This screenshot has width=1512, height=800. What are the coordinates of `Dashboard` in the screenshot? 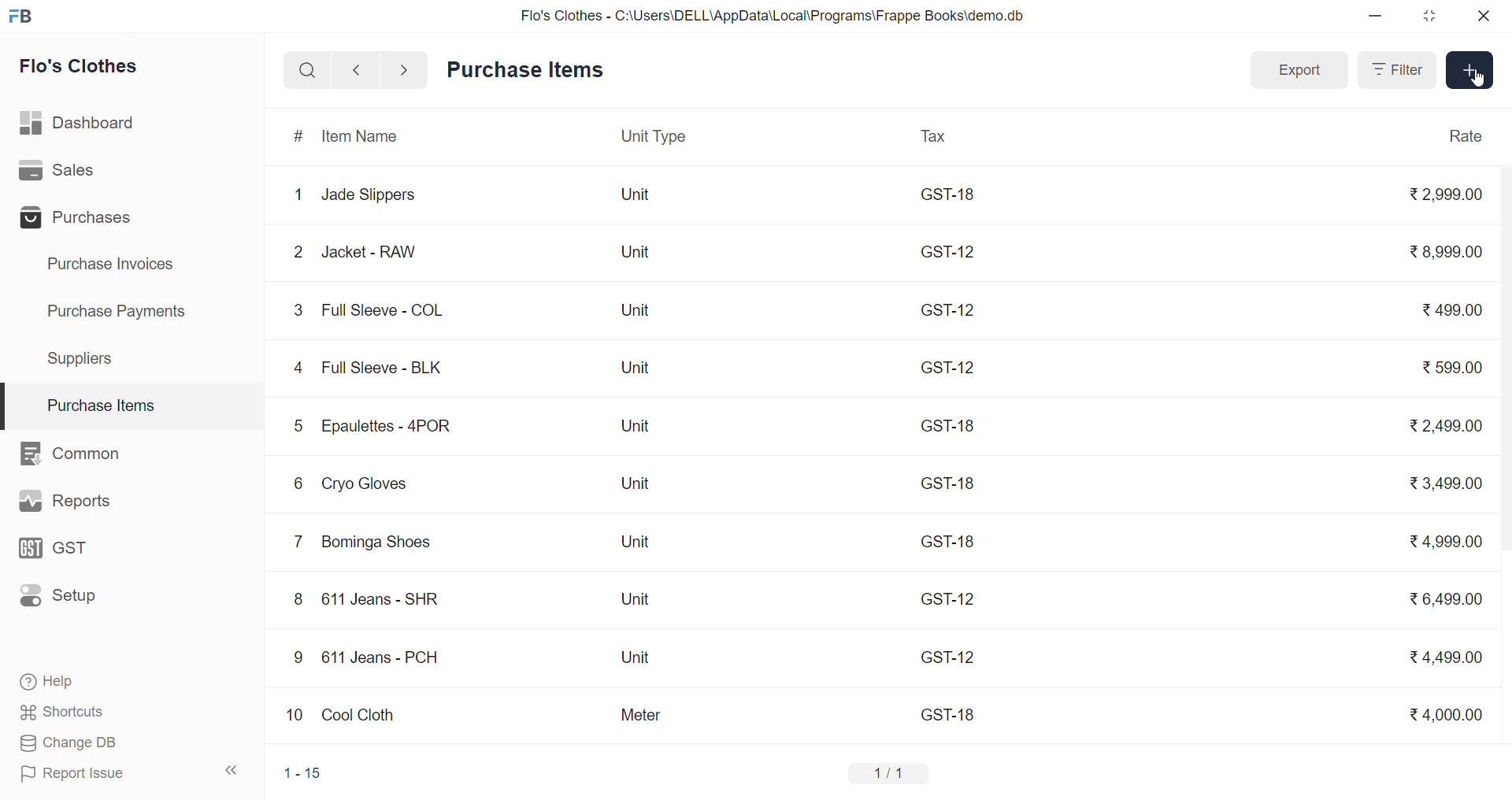 It's located at (84, 120).